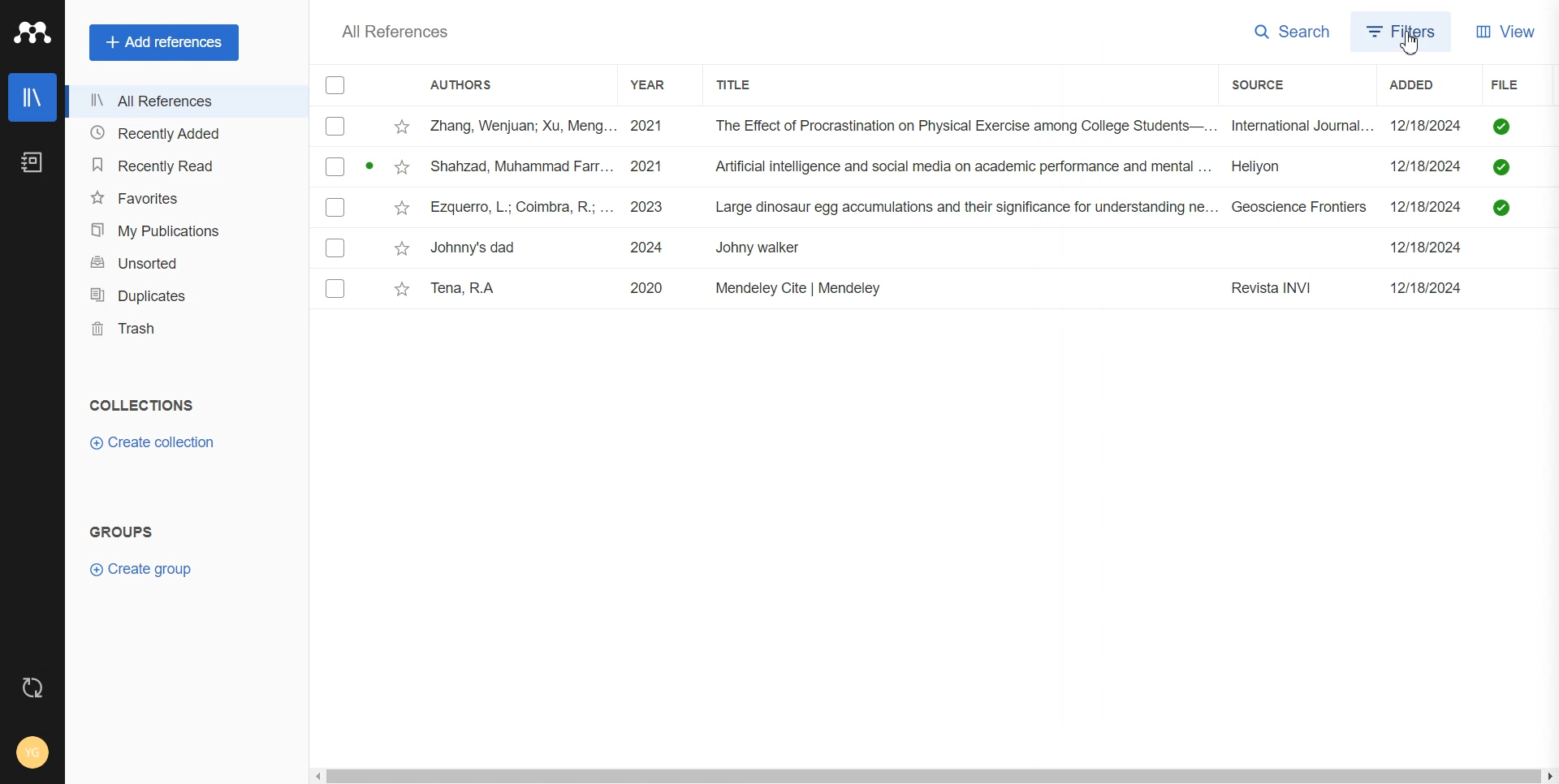 The height and width of the screenshot is (784, 1559). Describe the element at coordinates (1496, 84) in the screenshot. I see `File` at that location.